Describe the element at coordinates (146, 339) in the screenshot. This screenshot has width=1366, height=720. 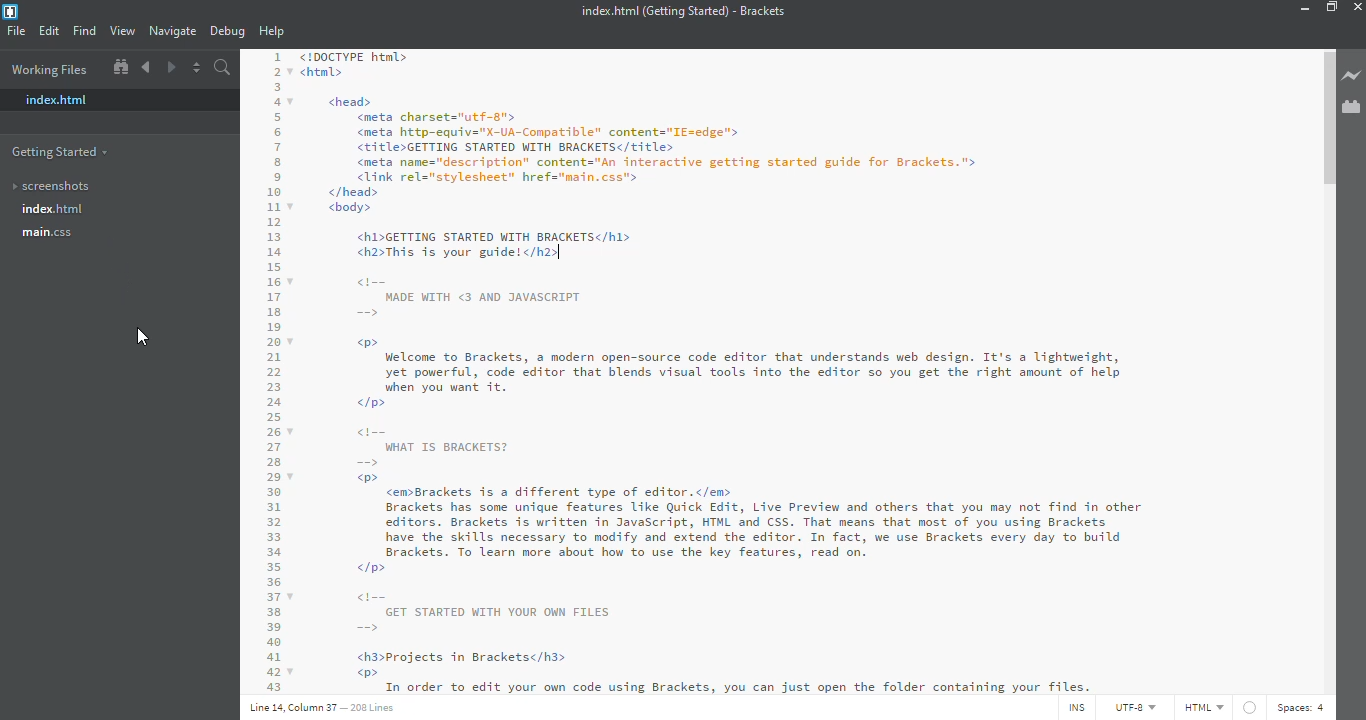
I see `cursor` at that location.